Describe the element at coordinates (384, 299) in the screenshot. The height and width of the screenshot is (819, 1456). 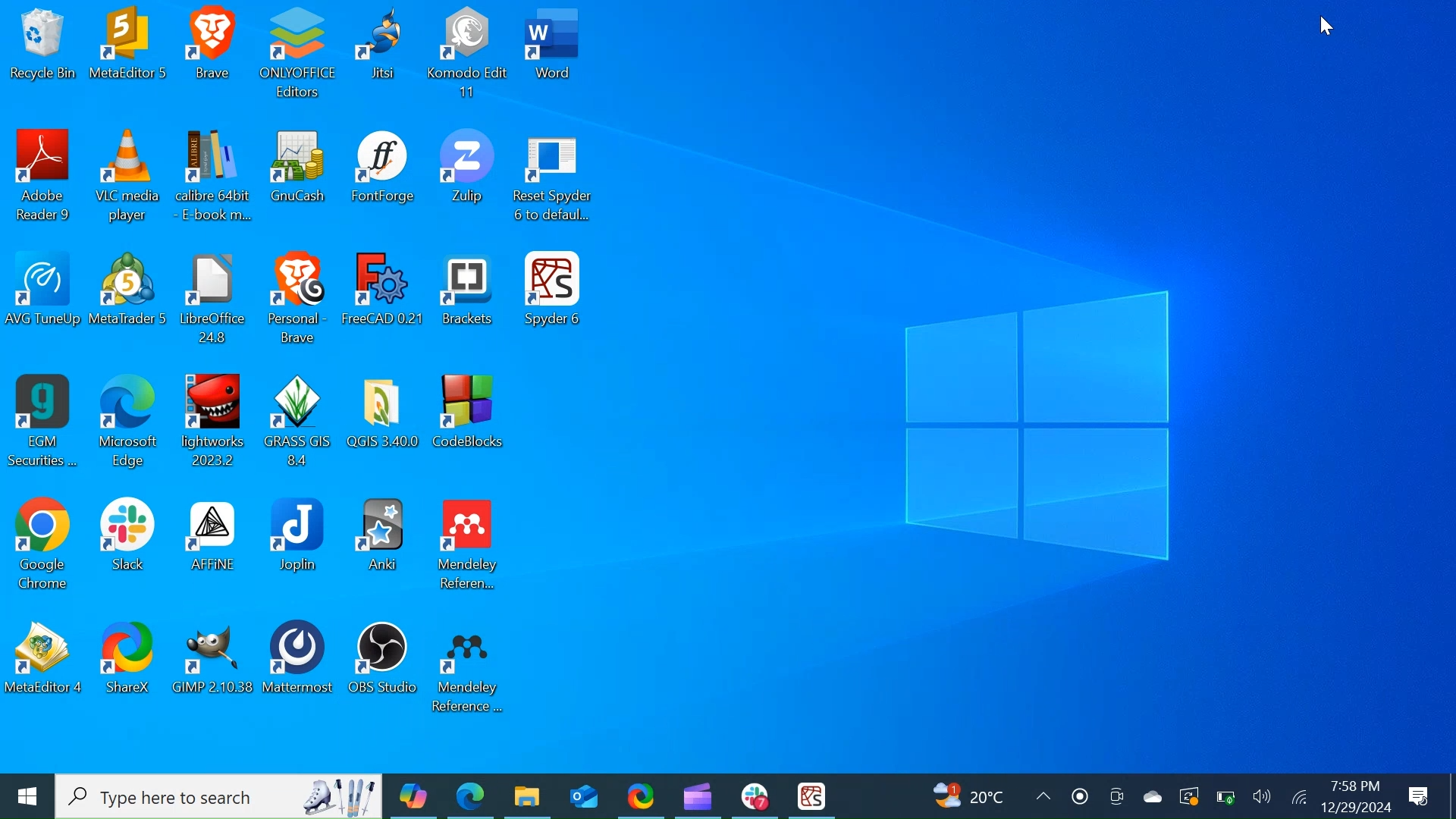
I see `FreeCAD` at that location.